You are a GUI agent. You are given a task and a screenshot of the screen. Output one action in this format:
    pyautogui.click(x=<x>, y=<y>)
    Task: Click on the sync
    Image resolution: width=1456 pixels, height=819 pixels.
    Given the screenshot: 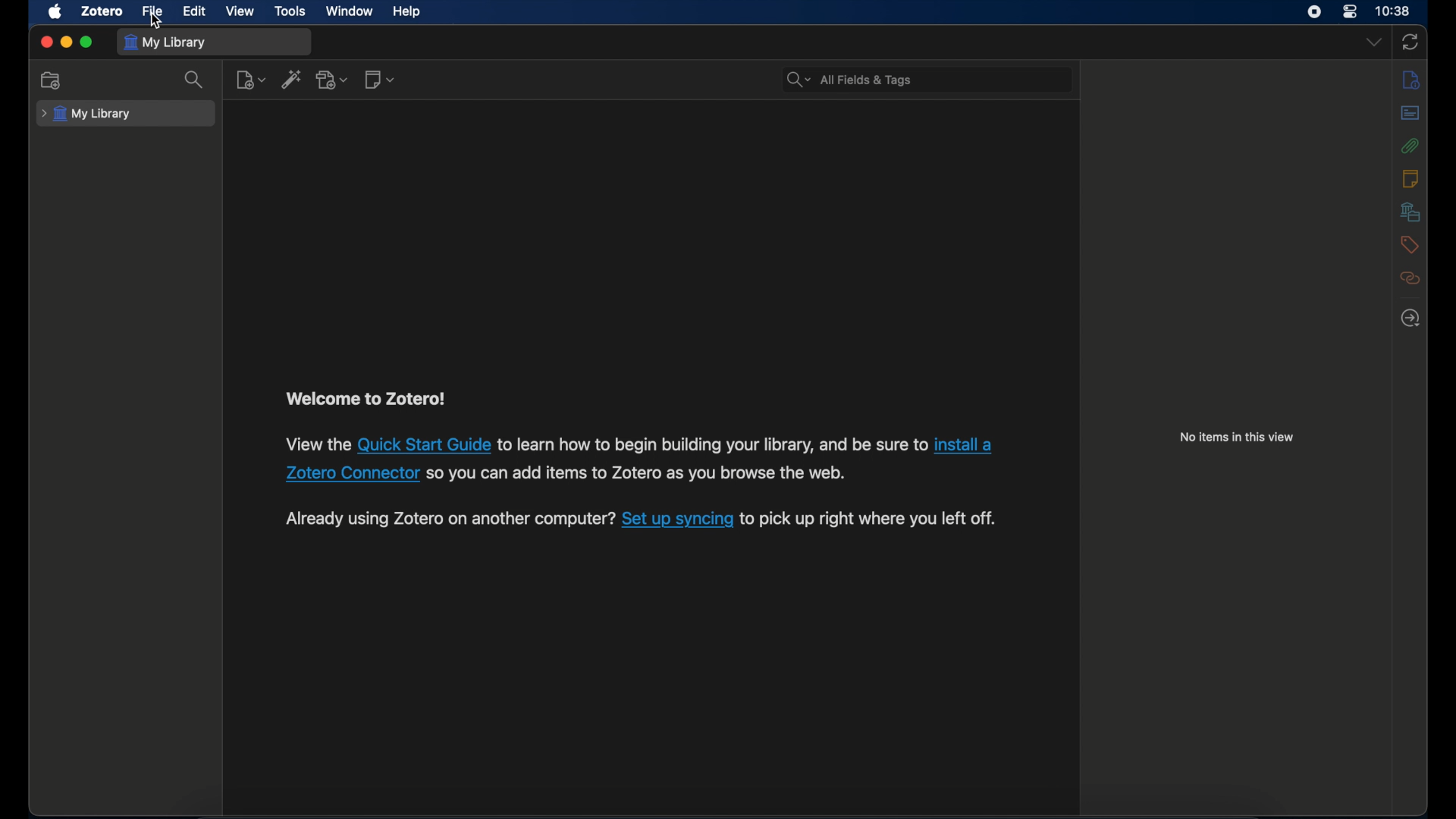 What is the action you would take?
    pyautogui.click(x=1410, y=42)
    